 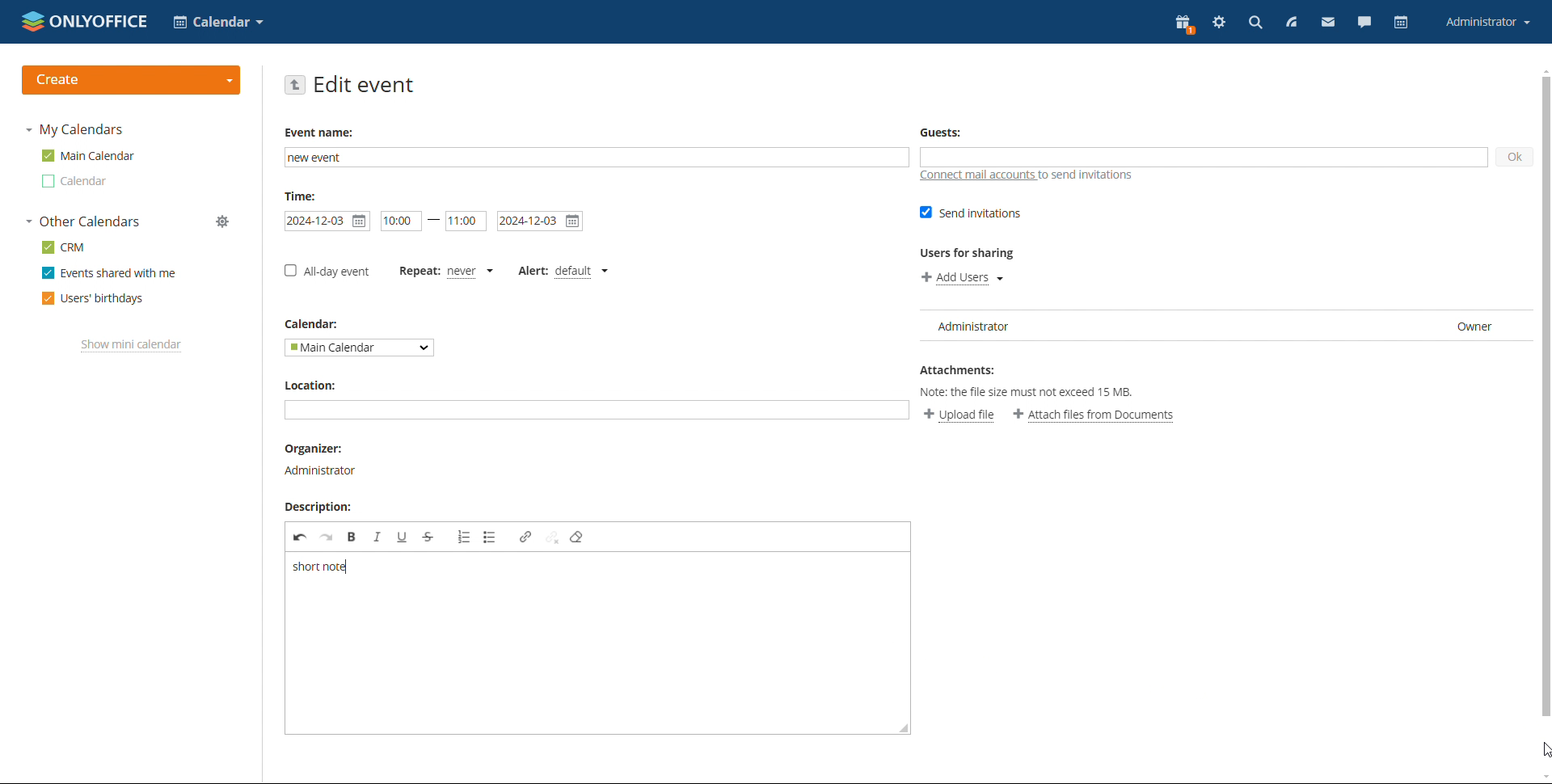 What do you see at coordinates (1255, 23) in the screenshot?
I see `search` at bounding box center [1255, 23].